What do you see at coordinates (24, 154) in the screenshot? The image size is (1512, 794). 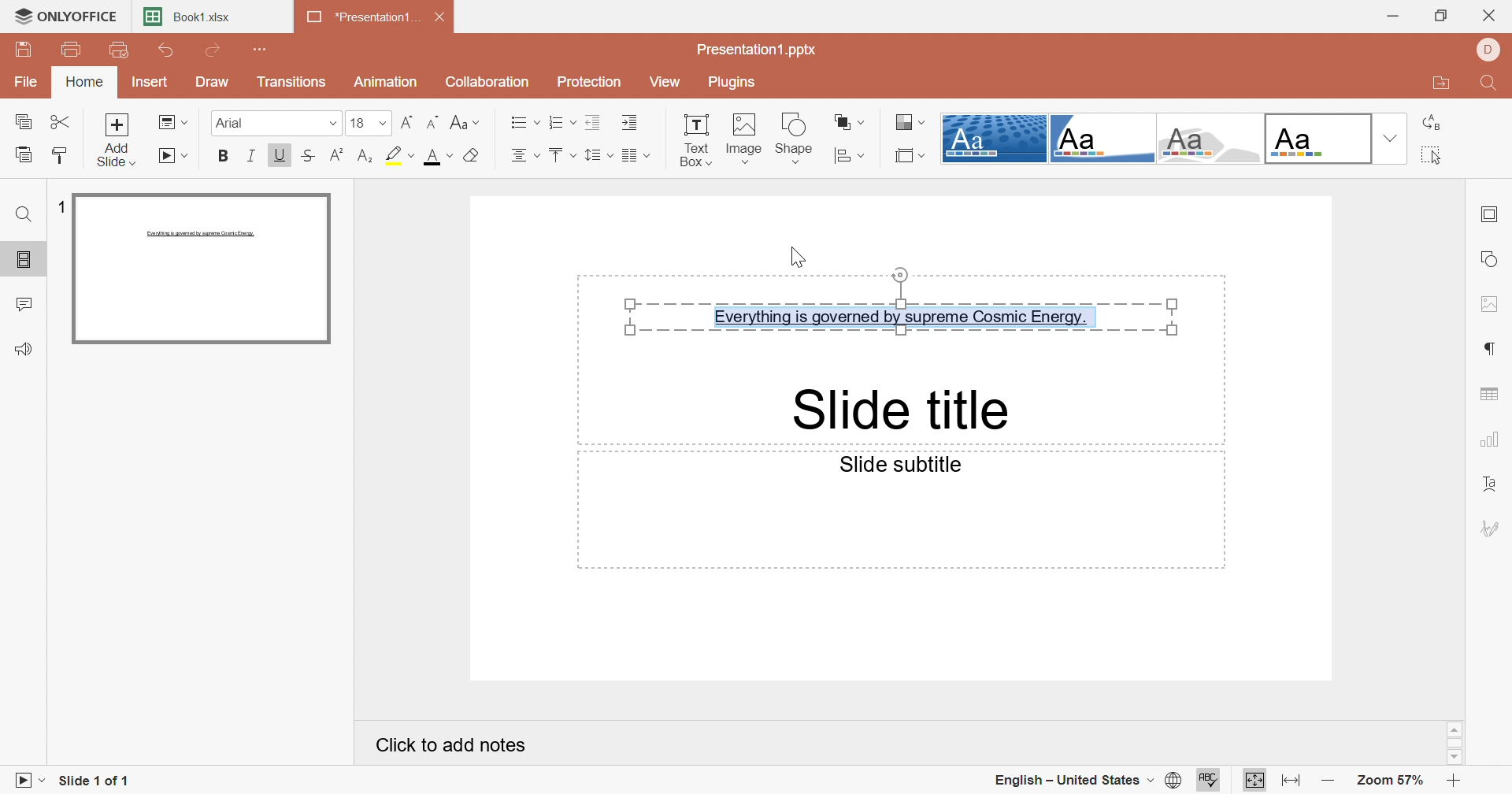 I see `paste` at bounding box center [24, 154].